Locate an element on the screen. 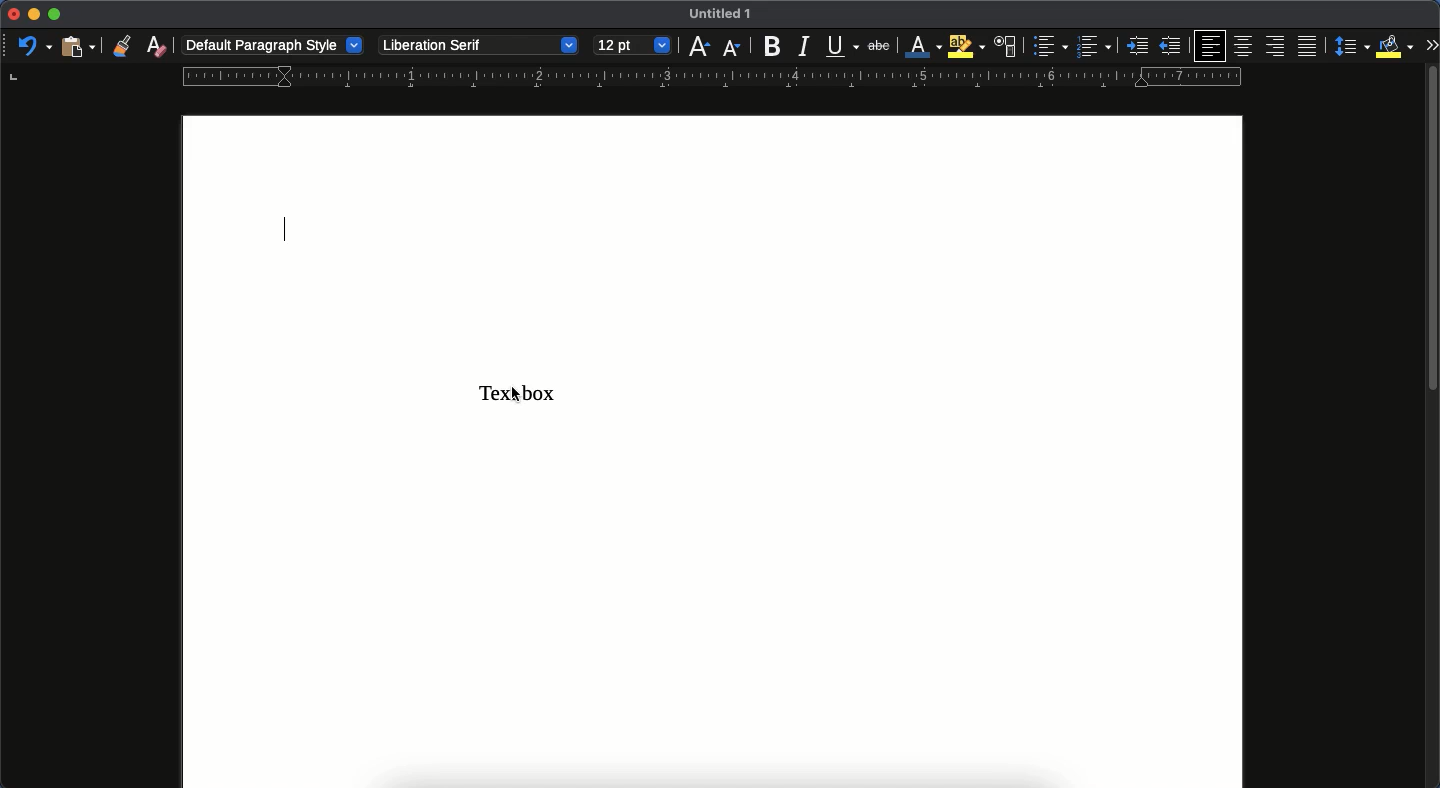 This screenshot has width=1440, height=788. Typing is located at coordinates (287, 230).